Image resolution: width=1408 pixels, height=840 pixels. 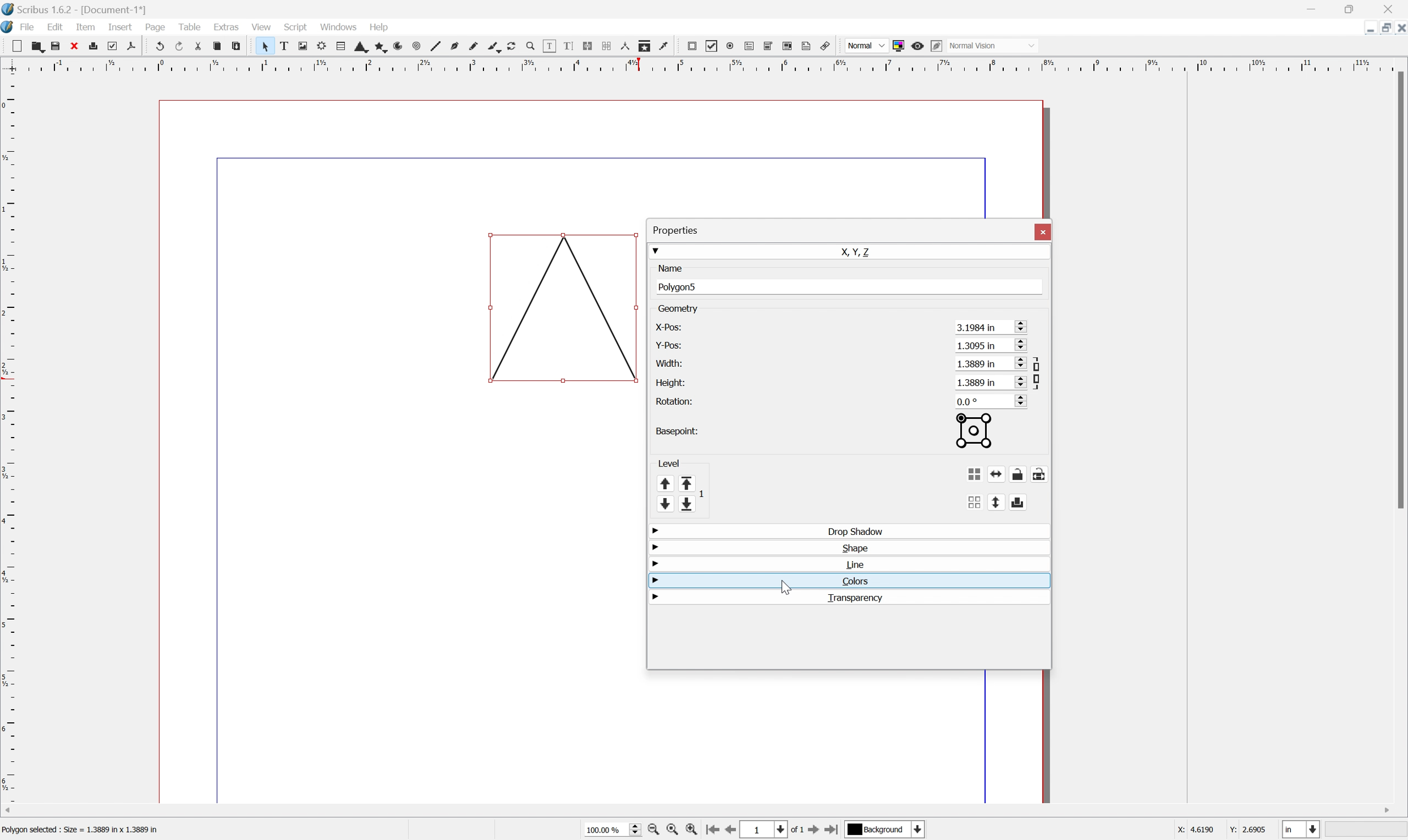 What do you see at coordinates (1018, 362) in the screenshot?
I see `Scroll` at bounding box center [1018, 362].